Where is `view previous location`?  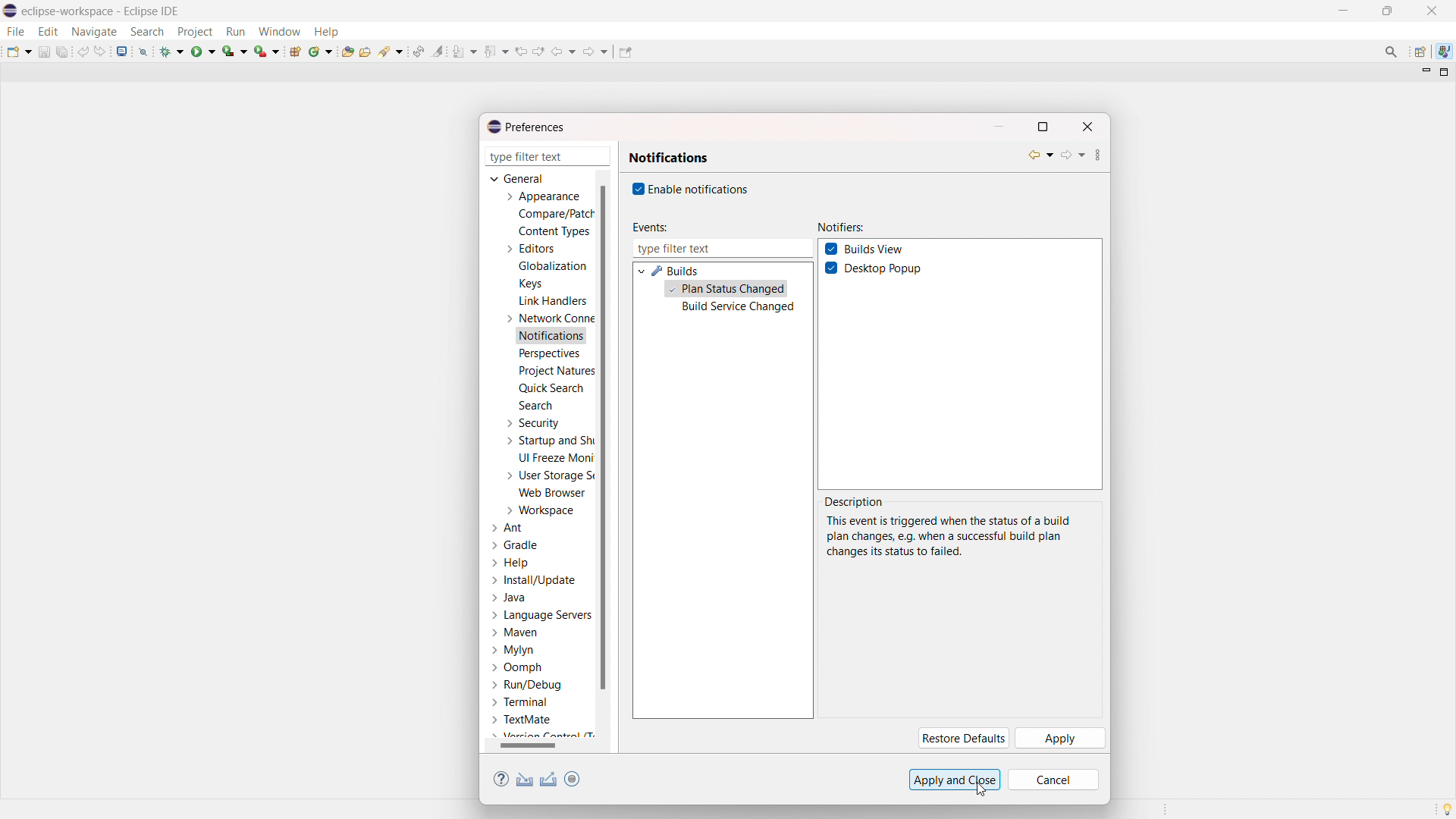 view previous location is located at coordinates (521, 51).